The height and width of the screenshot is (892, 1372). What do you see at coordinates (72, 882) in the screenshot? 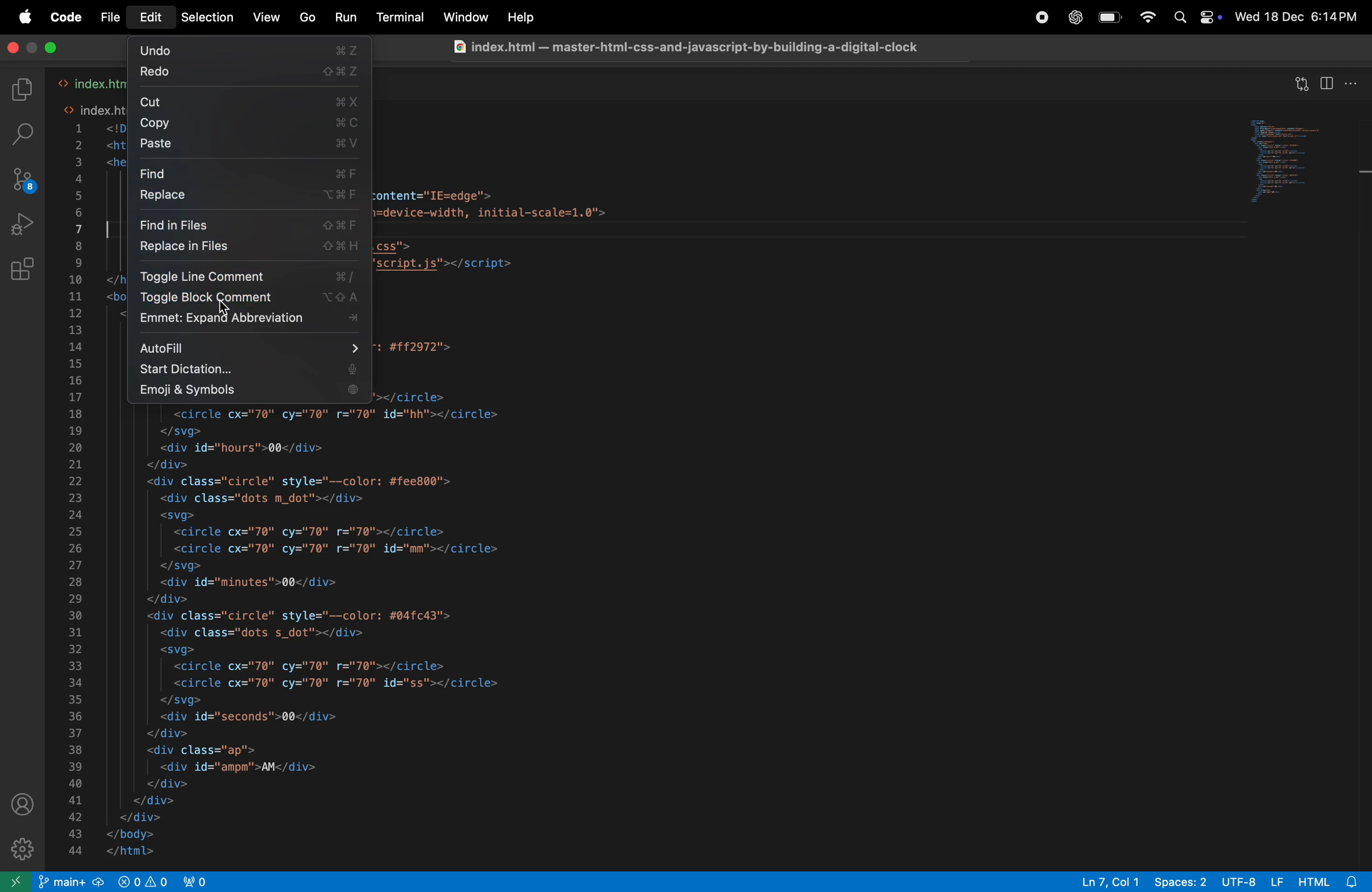
I see `main repo` at bounding box center [72, 882].